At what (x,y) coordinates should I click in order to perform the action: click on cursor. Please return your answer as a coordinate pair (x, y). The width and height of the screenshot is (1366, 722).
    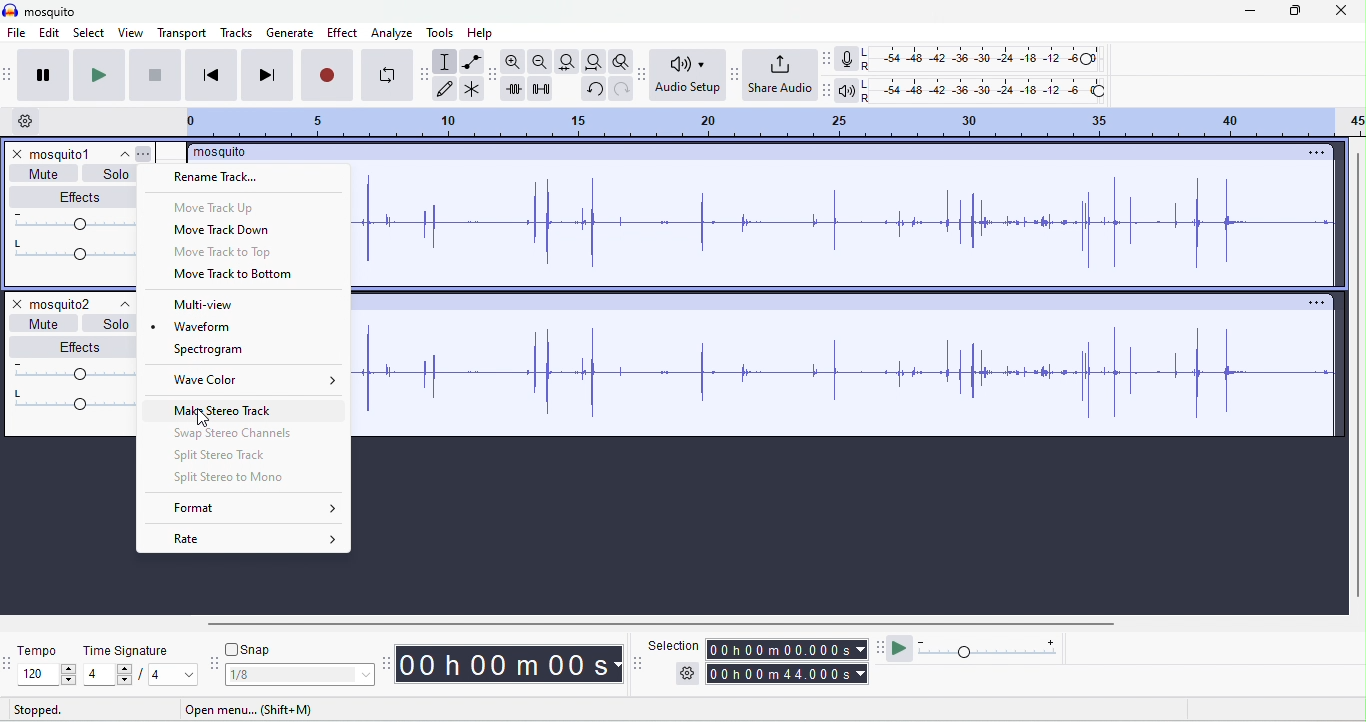
    Looking at the image, I should click on (205, 419).